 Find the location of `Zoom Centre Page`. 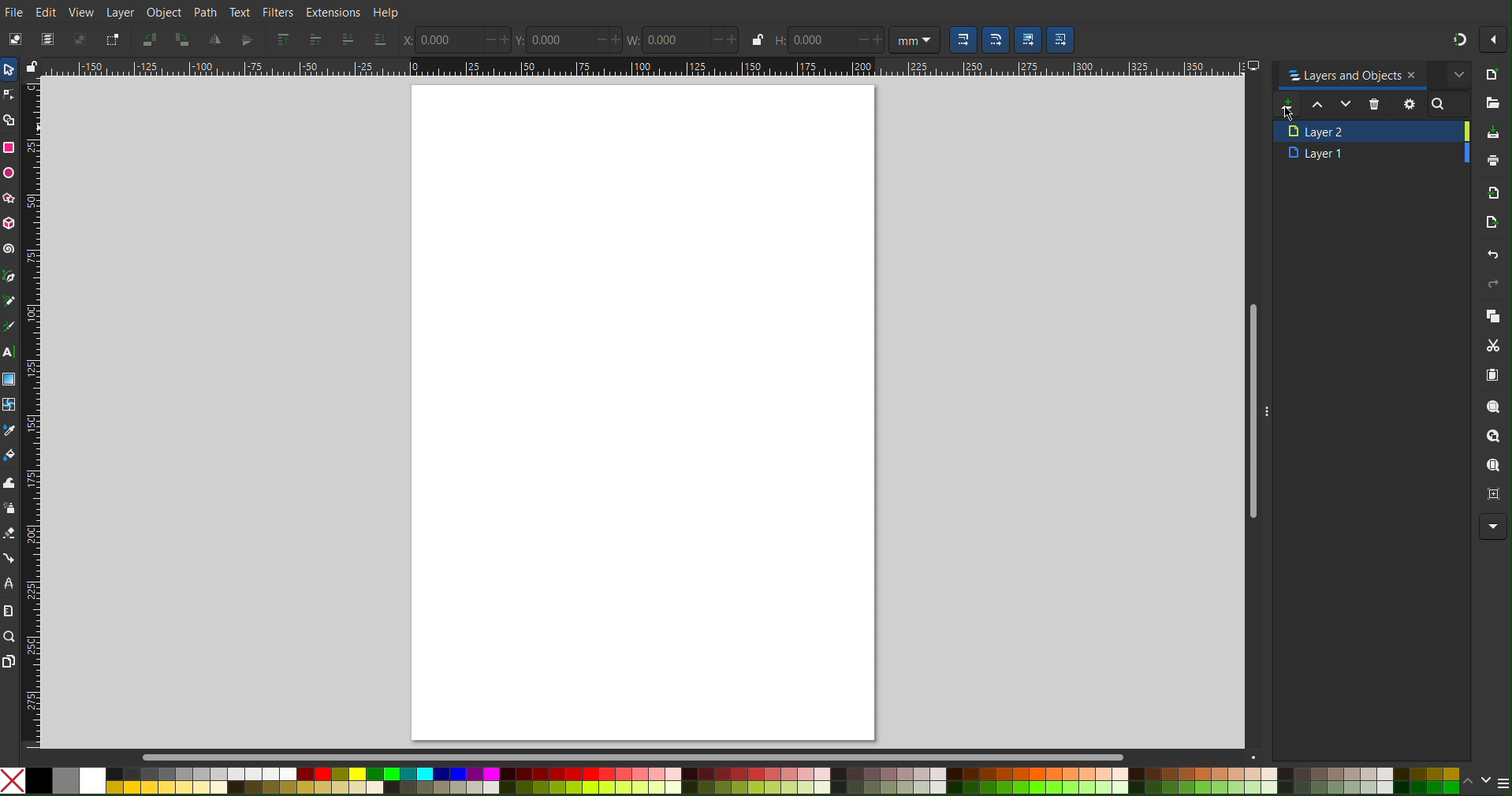

Zoom Centre Page is located at coordinates (1490, 493).